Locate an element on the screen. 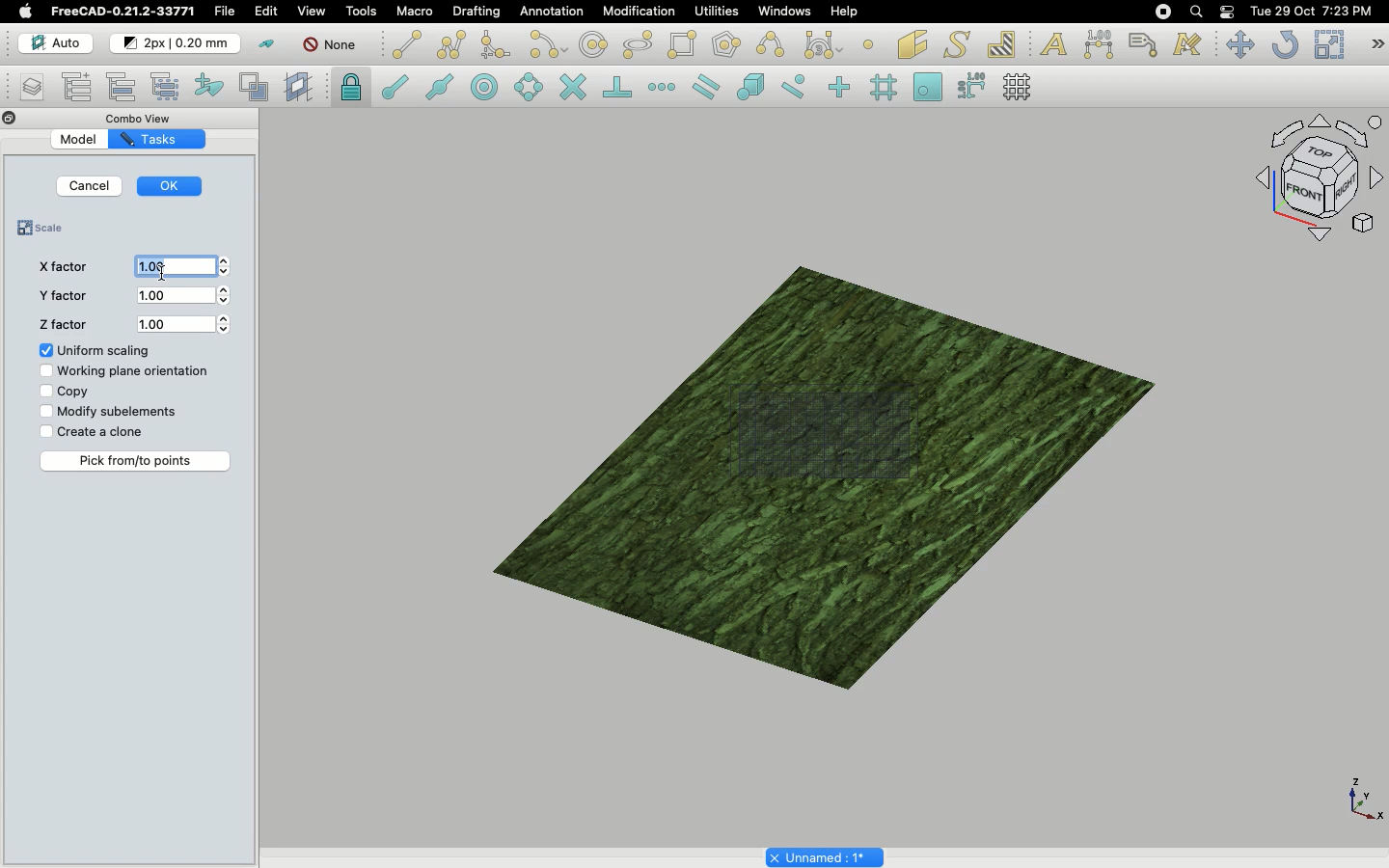 This screenshot has height=868, width=1389. Dimension is located at coordinates (1097, 43).